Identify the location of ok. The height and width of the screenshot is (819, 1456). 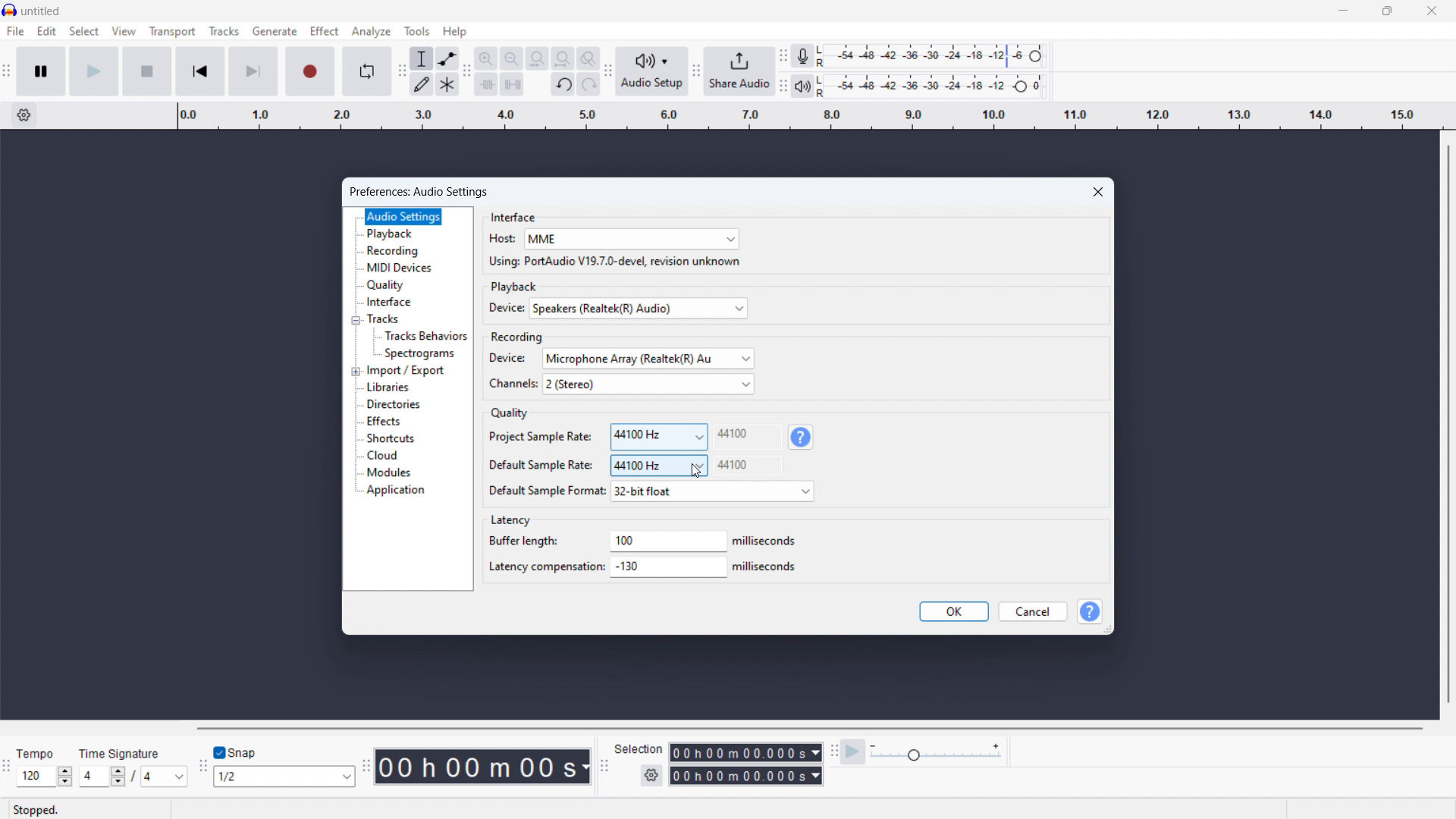
(955, 611).